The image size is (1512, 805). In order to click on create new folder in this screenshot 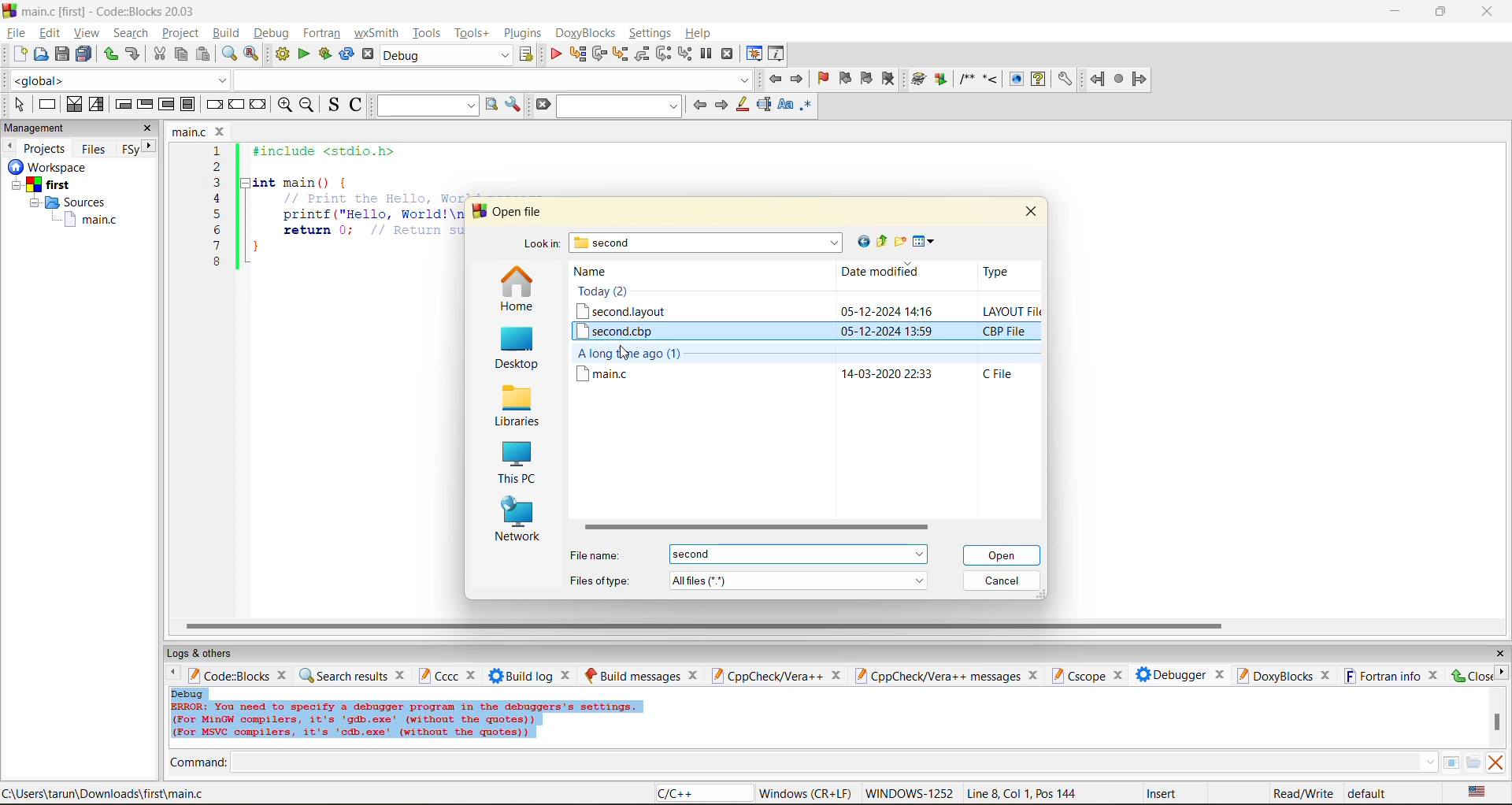, I will do `click(902, 241)`.